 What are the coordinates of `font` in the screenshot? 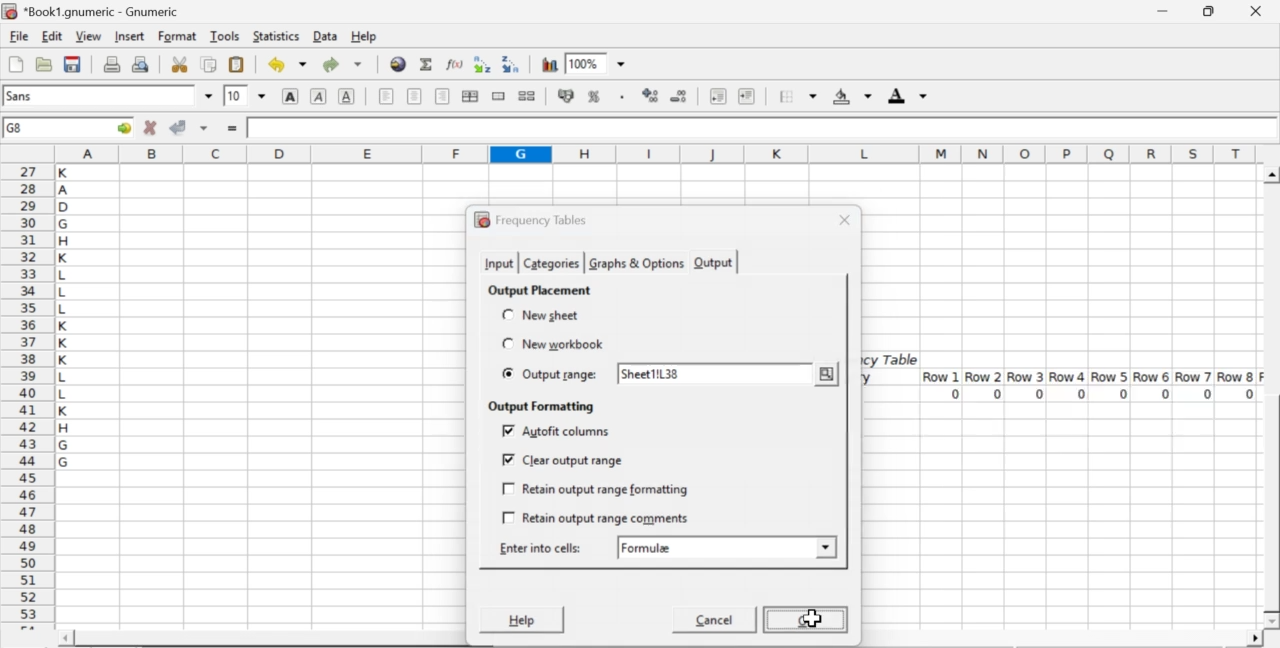 It's located at (22, 95).